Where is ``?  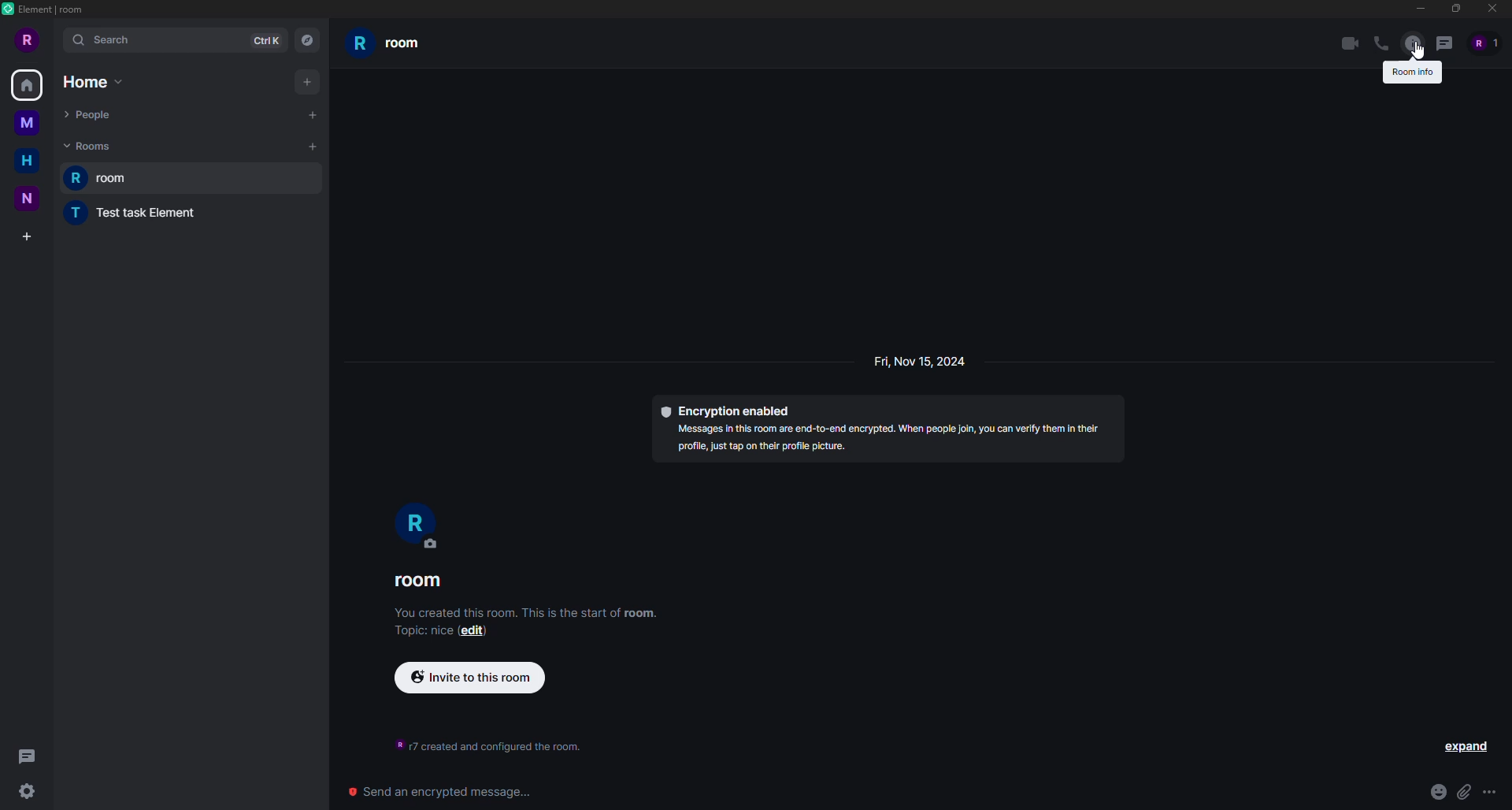
 is located at coordinates (485, 217).